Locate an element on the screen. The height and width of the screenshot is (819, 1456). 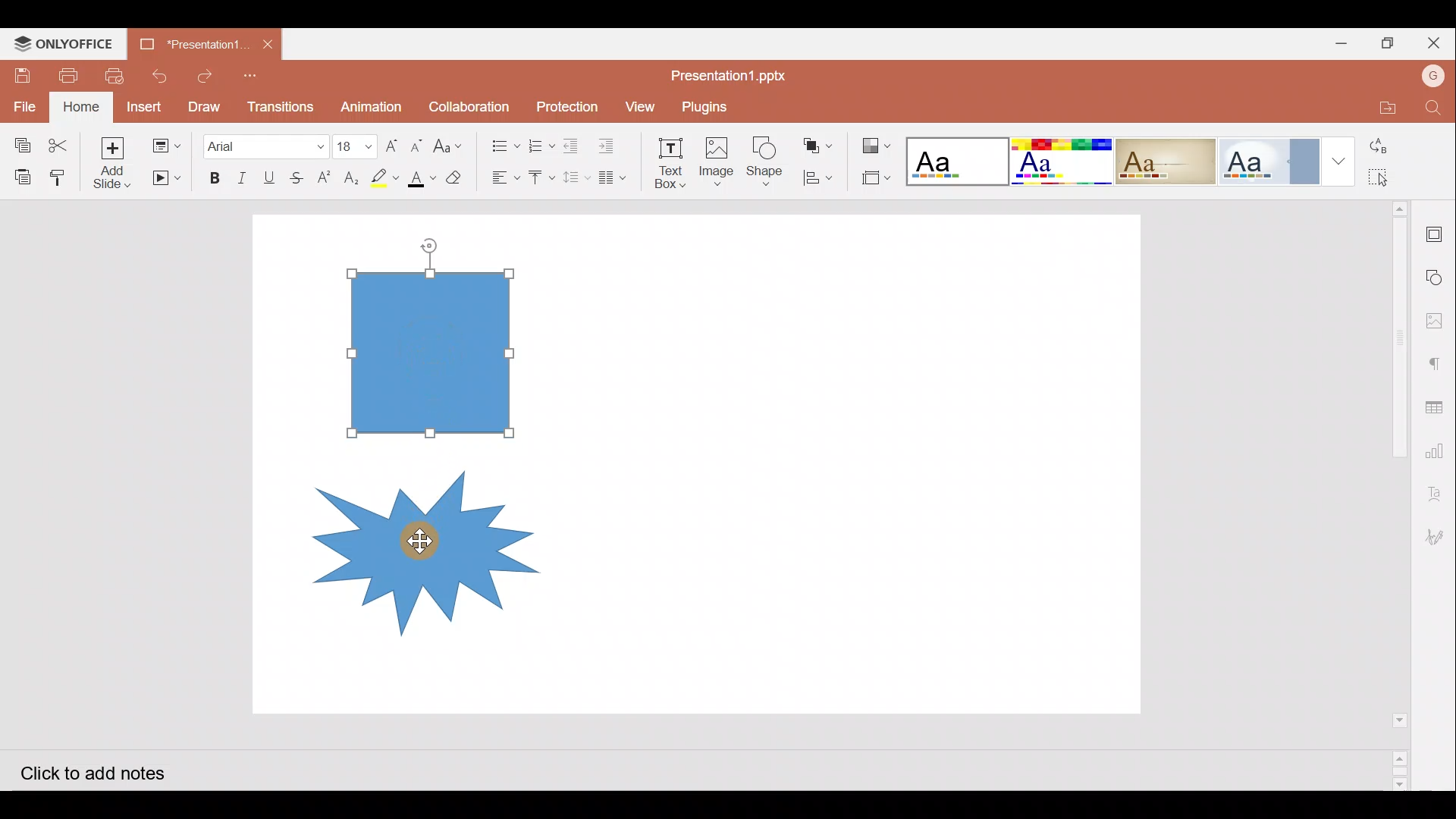
Insert image is located at coordinates (715, 155).